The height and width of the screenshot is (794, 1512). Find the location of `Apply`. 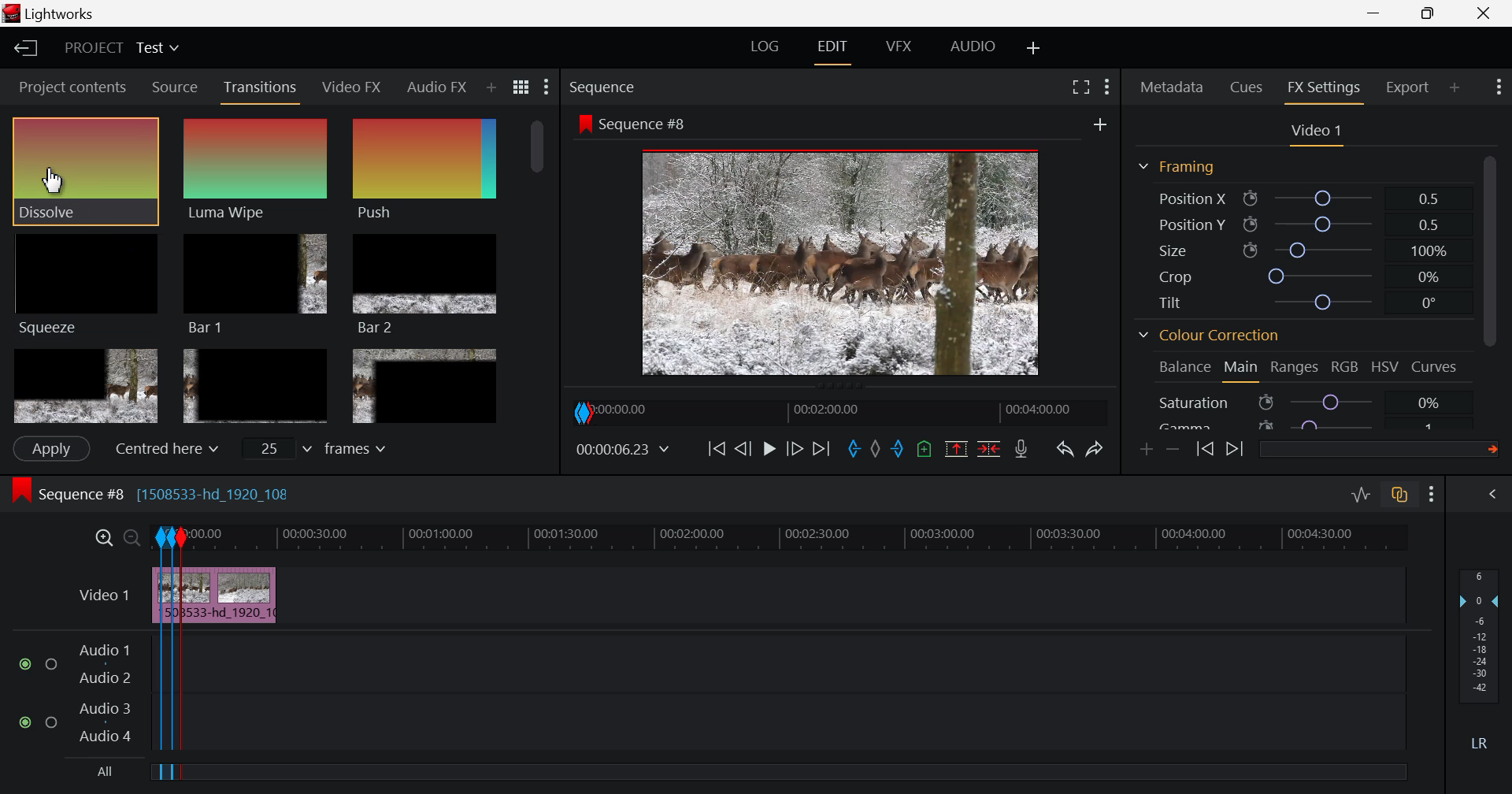

Apply is located at coordinates (50, 448).